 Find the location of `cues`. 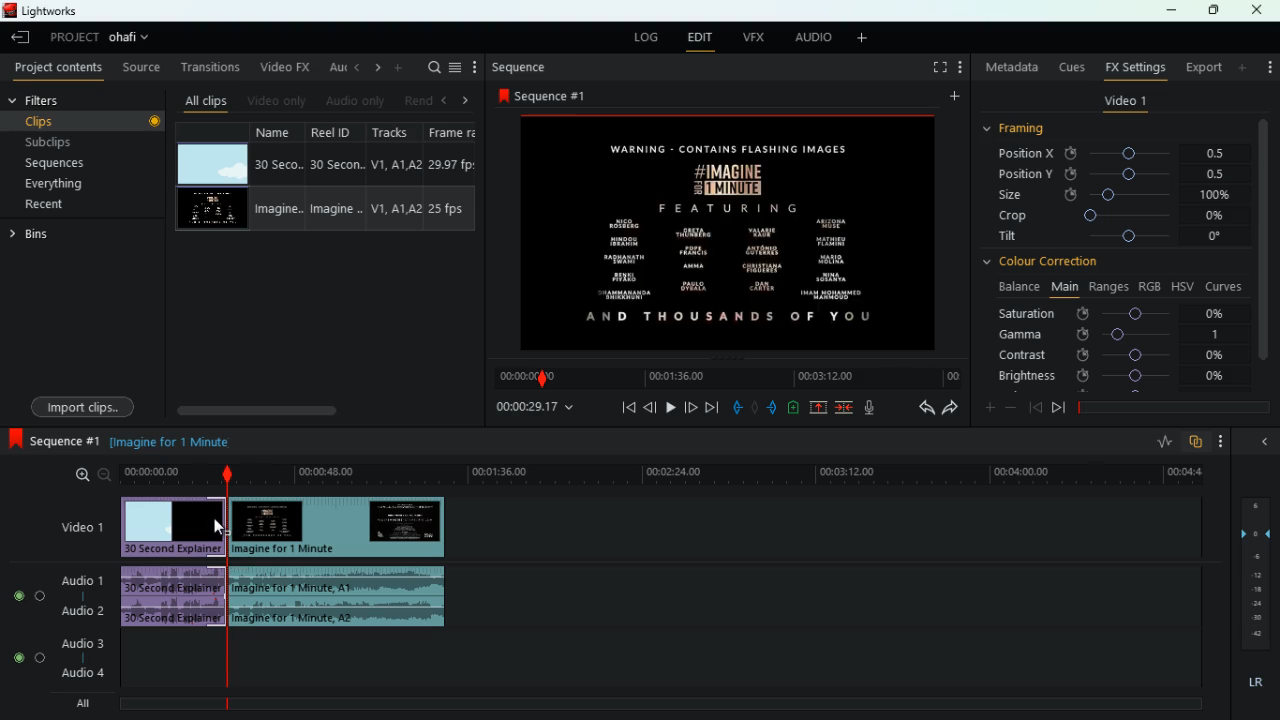

cues is located at coordinates (1073, 67).